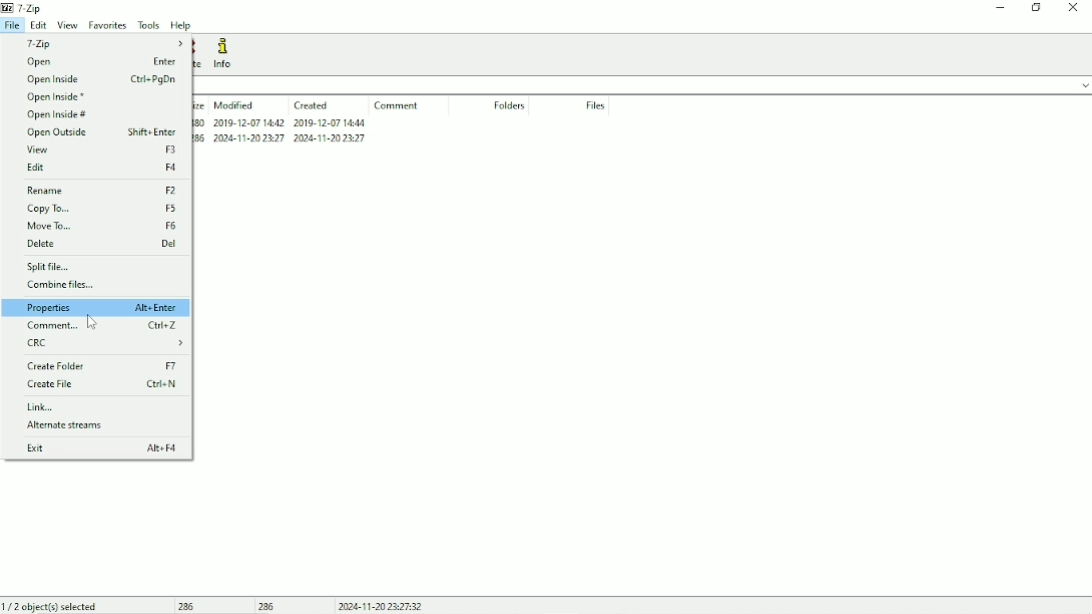 The image size is (1092, 614). What do you see at coordinates (109, 26) in the screenshot?
I see `Favorites` at bounding box center [109, 26].